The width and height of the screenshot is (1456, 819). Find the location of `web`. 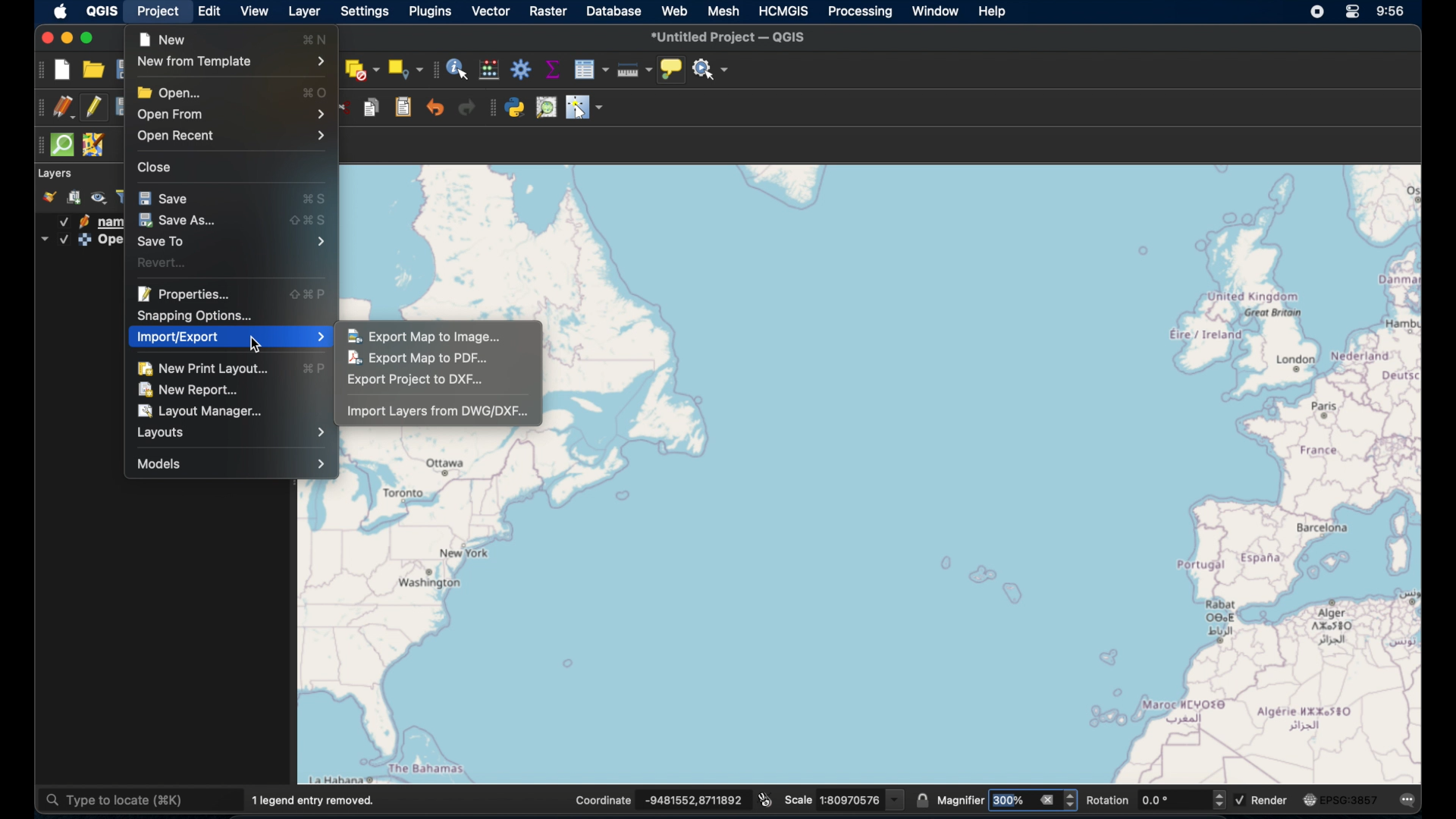

web is located at coordinates (675, 11).